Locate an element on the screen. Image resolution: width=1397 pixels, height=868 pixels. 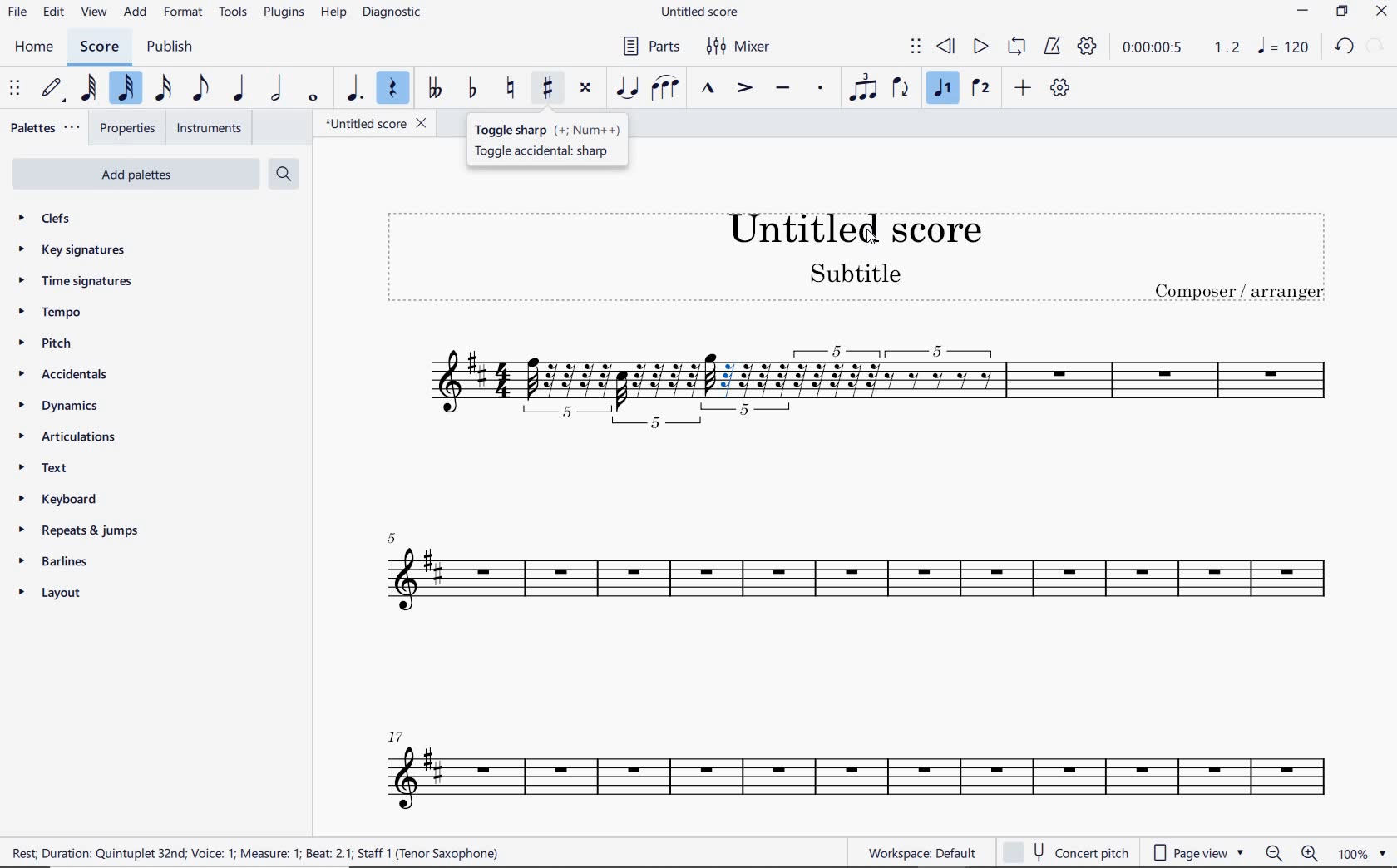
TOGGLE-DOUBLE FLAT is located at coordinates (435, 86).